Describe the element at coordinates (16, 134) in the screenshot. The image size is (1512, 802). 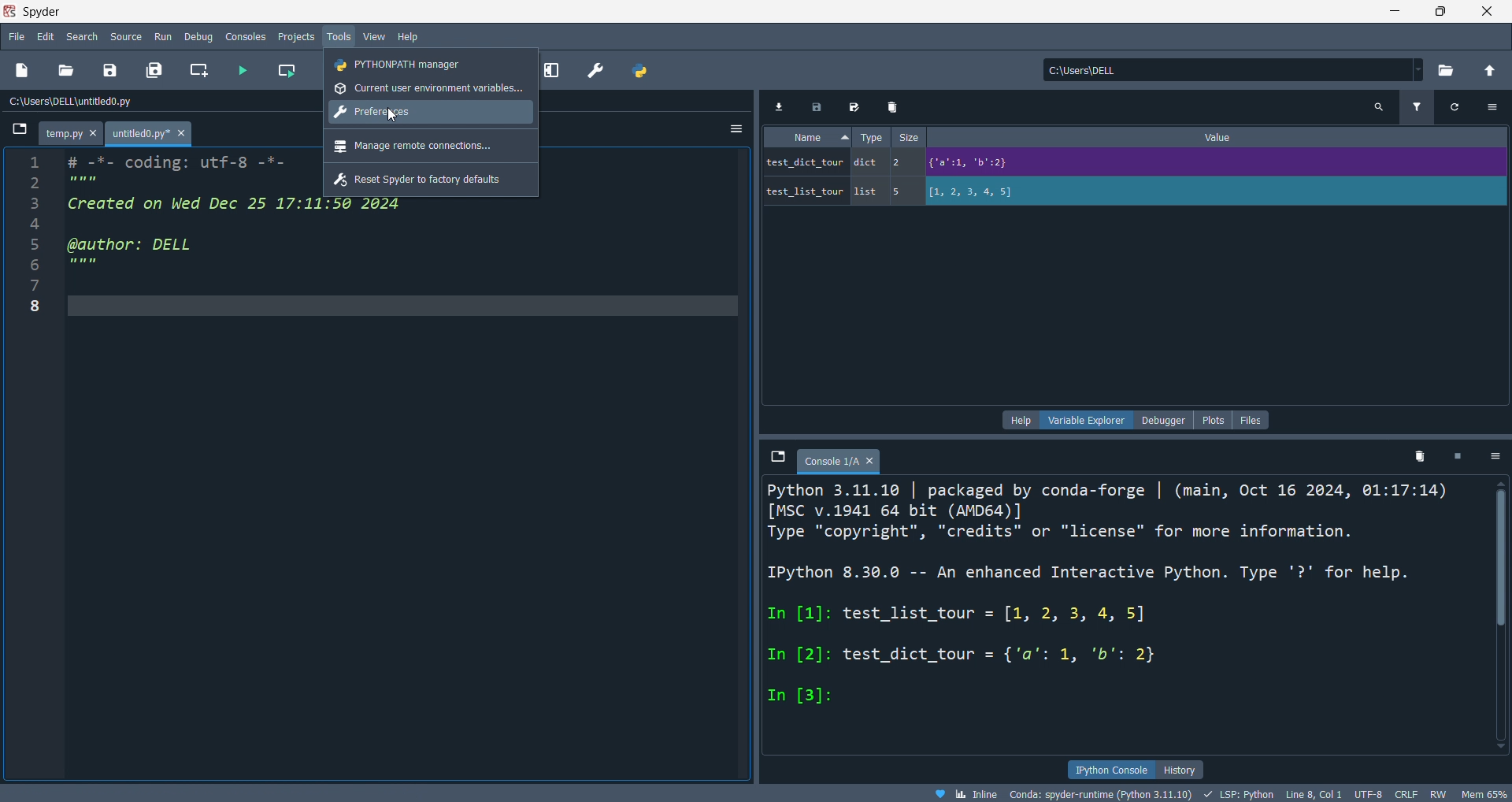
I see `browse tabs` at that location.